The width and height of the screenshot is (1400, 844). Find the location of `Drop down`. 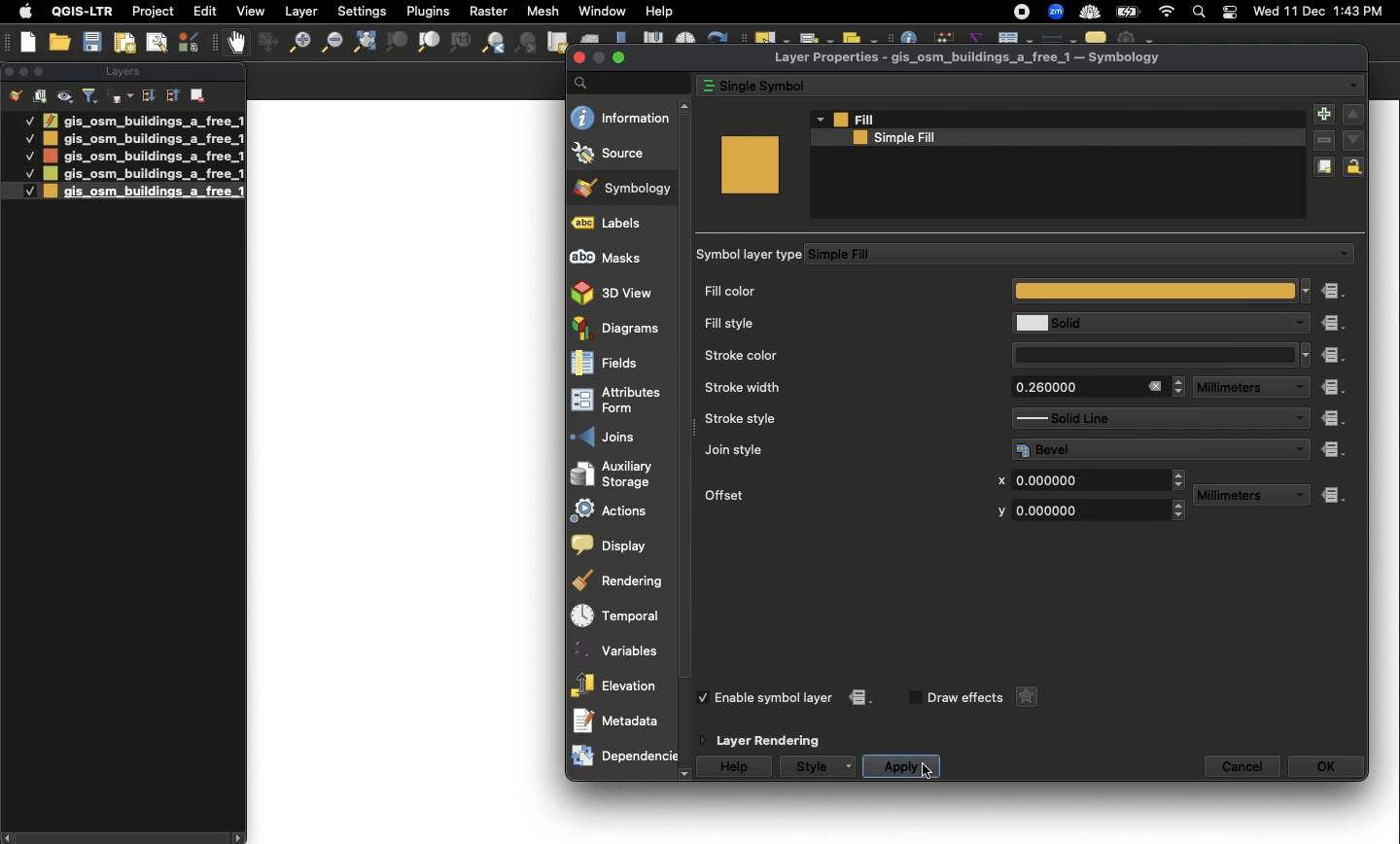

Drop down is located at coordinates (1298, 419).